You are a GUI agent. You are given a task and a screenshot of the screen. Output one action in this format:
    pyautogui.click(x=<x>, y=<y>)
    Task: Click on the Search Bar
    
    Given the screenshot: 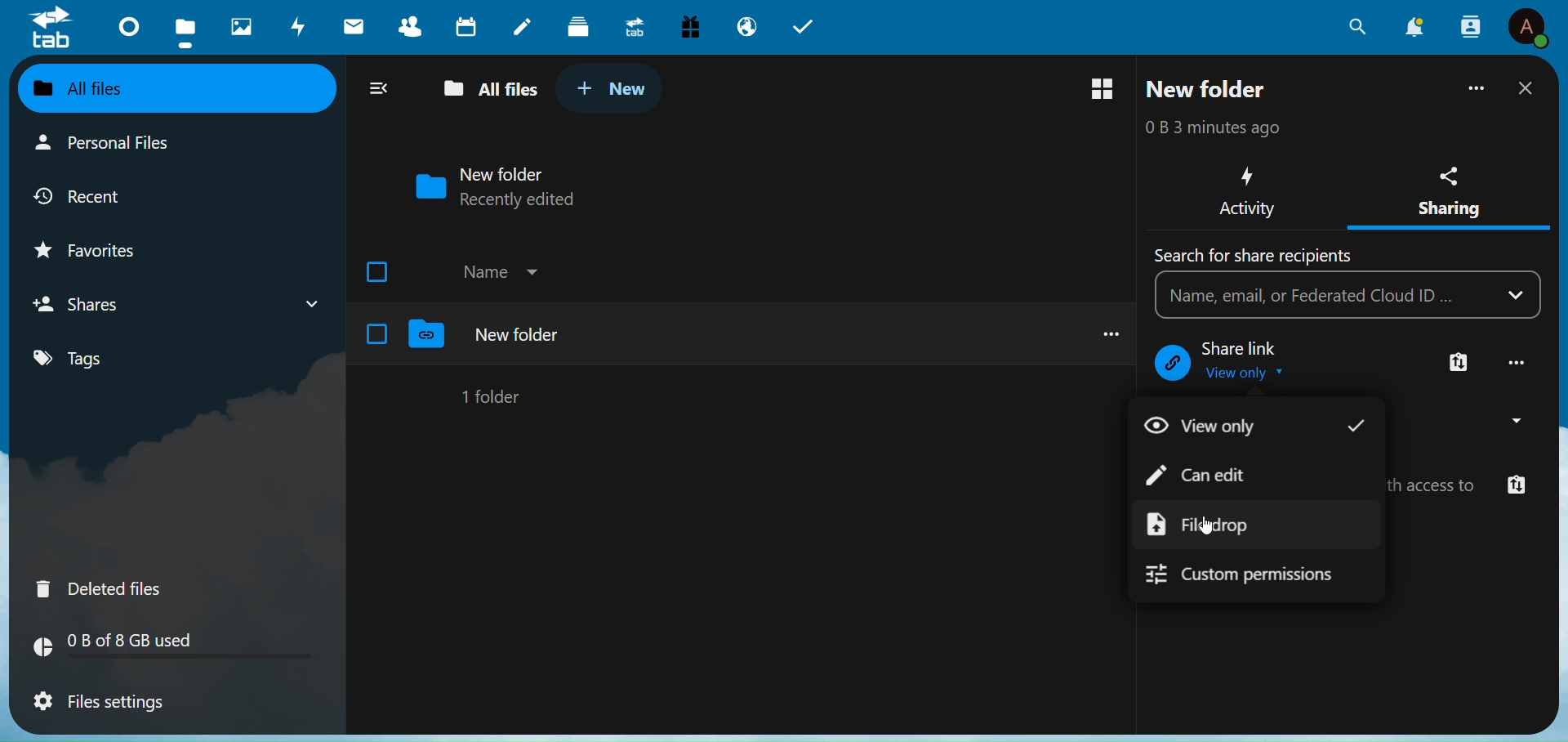 What is the action you would take?
    pyautogui.click(x=1323, y=296)
    